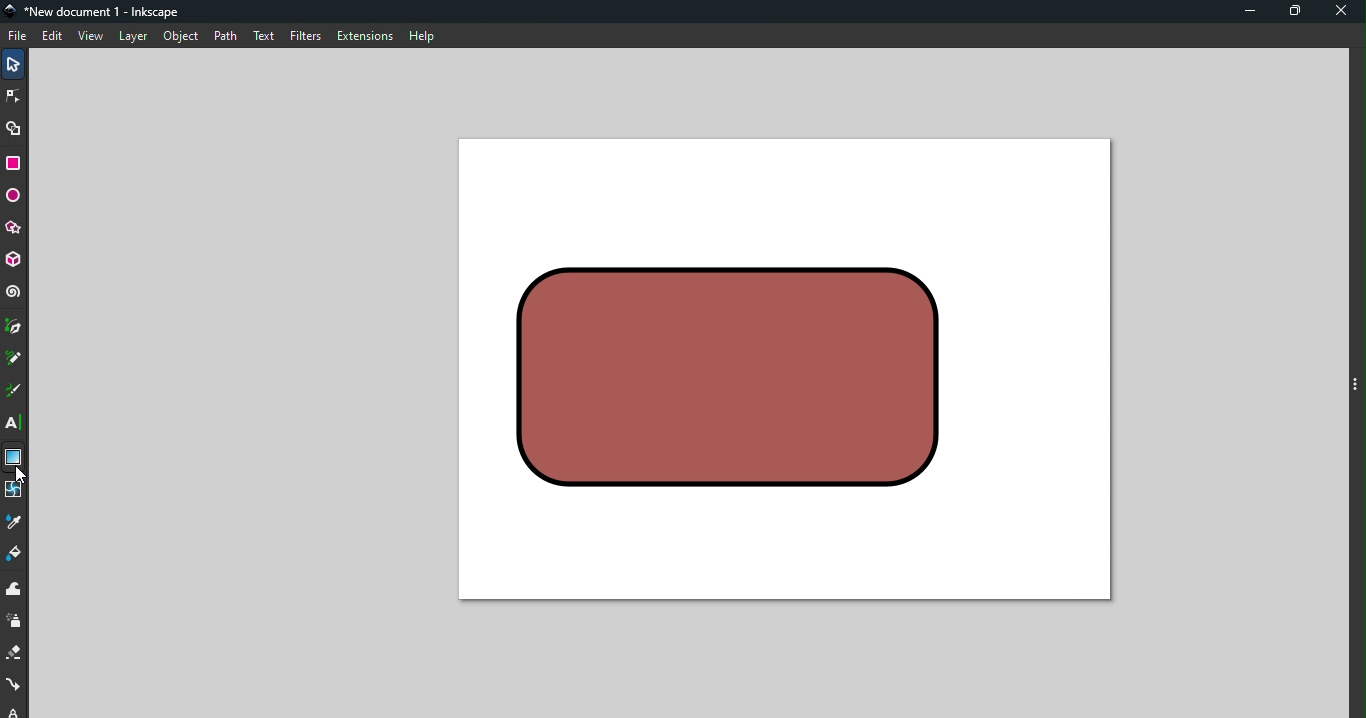 The image size is (1366, 718). What do you see at coordinates (304, 35) in the screenshot?
I see `Filters` at bounding box center [304, 35].